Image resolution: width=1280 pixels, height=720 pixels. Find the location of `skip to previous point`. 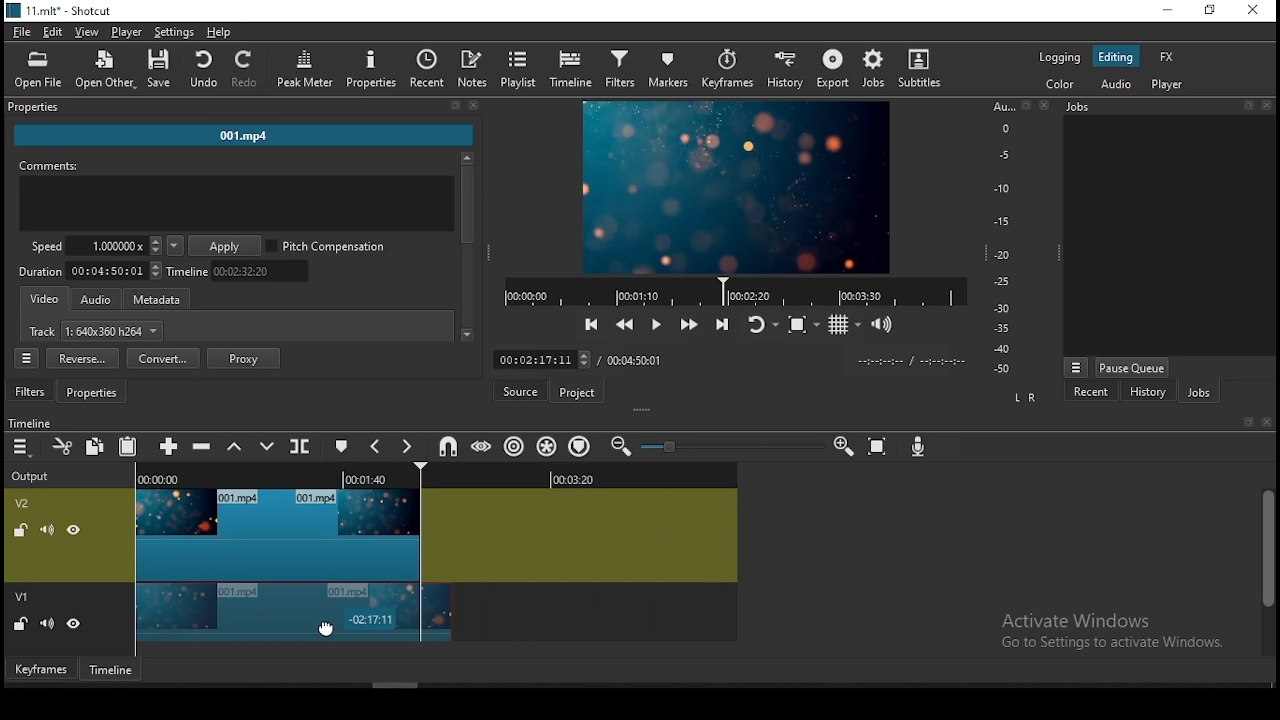

skip to previous point is located at coordinates (591, 322).